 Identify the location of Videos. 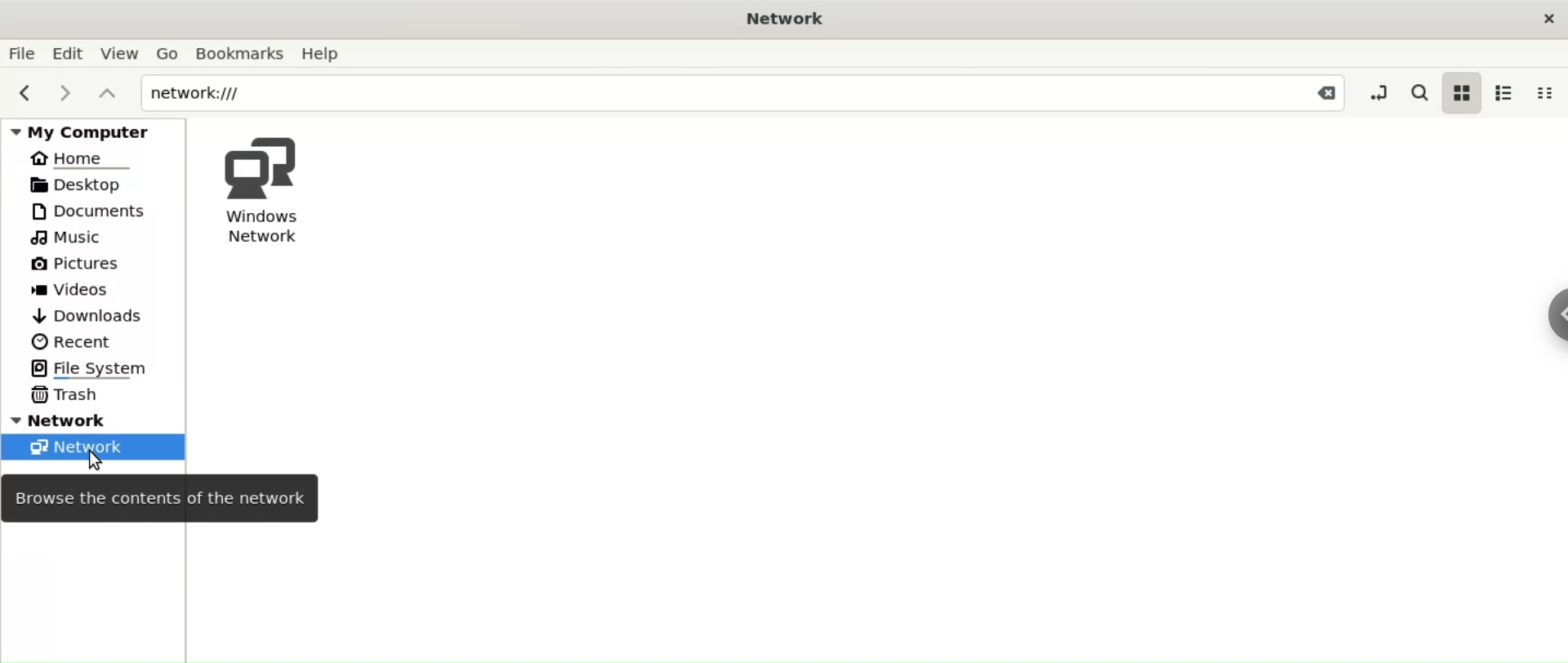
(73, 291).